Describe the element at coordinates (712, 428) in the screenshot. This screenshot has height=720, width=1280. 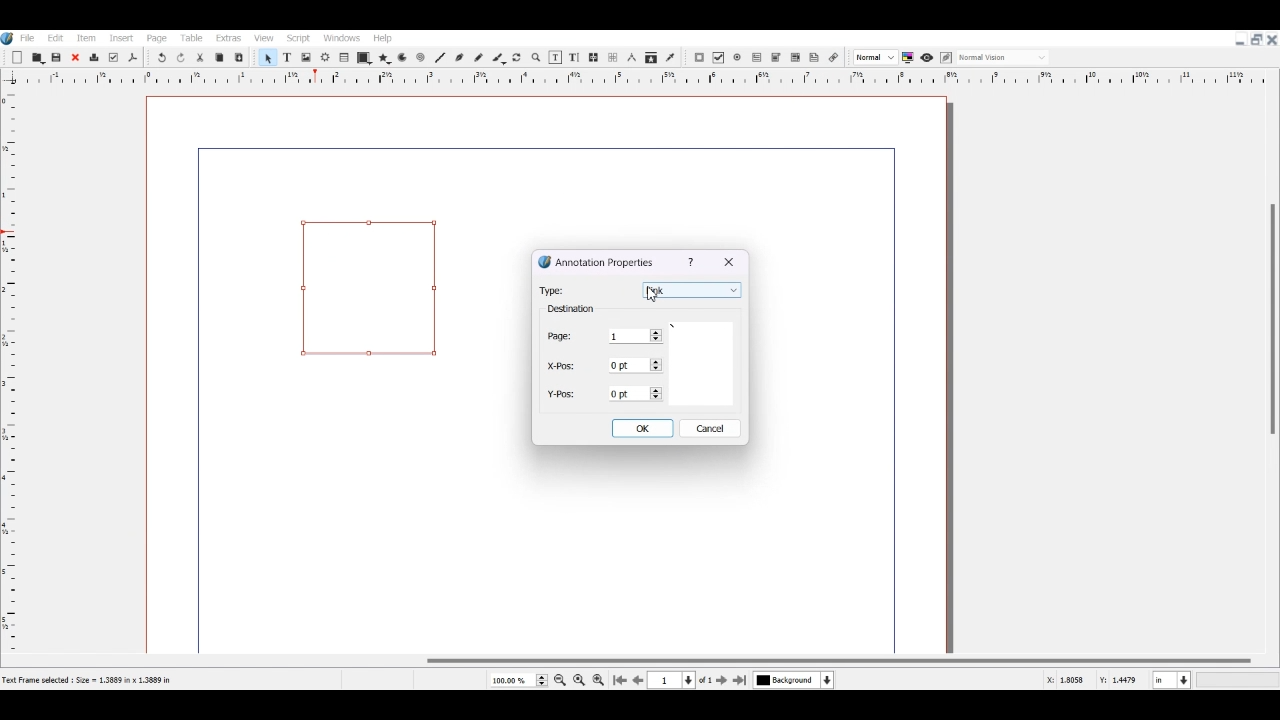
I see `Cancel` at that location.